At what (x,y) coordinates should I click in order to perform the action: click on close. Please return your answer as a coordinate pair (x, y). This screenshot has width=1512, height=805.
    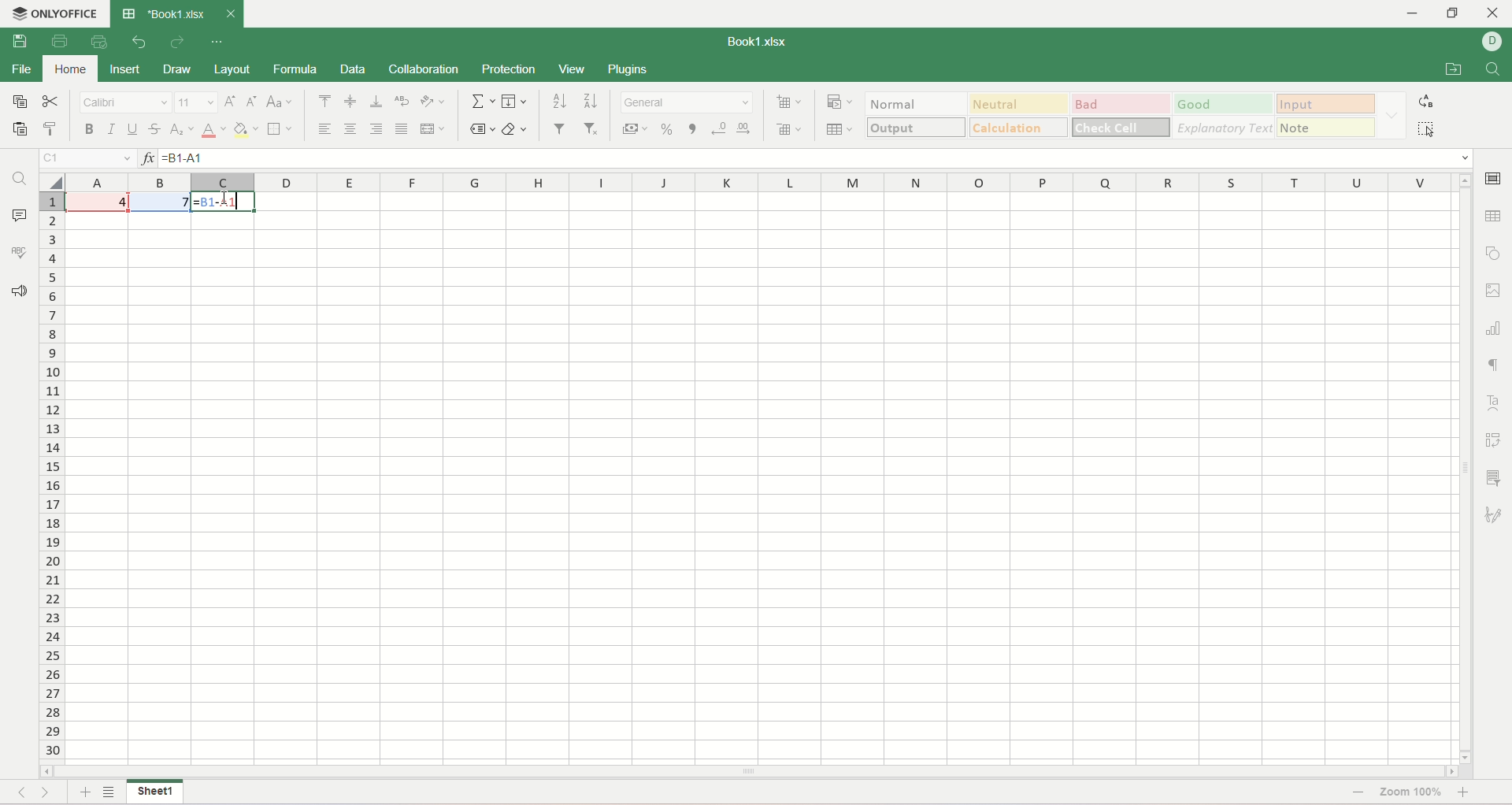
    Looking at the image, I should click on (1494, 14).